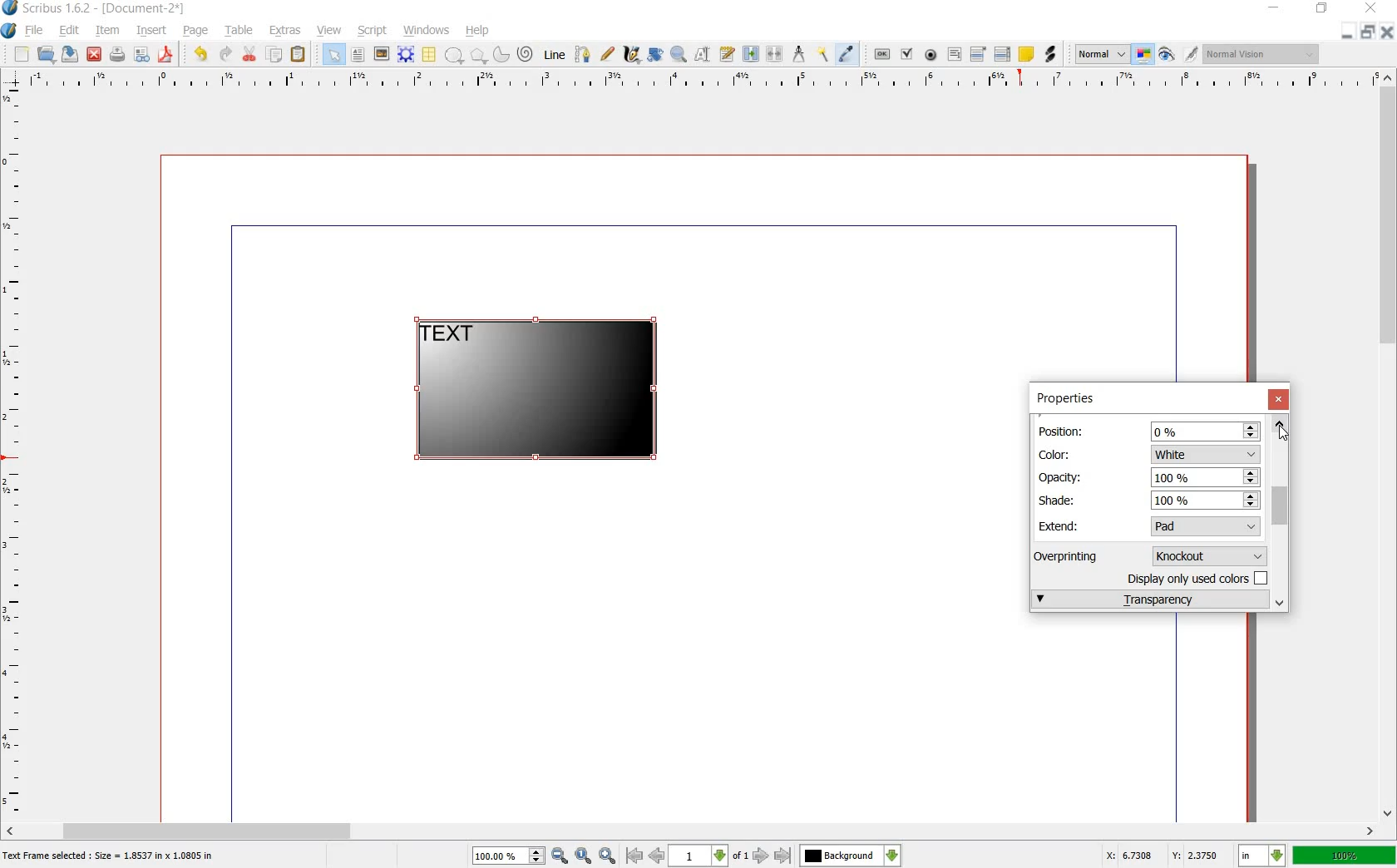  I want to click on pdf combo box, so click(979, 53).